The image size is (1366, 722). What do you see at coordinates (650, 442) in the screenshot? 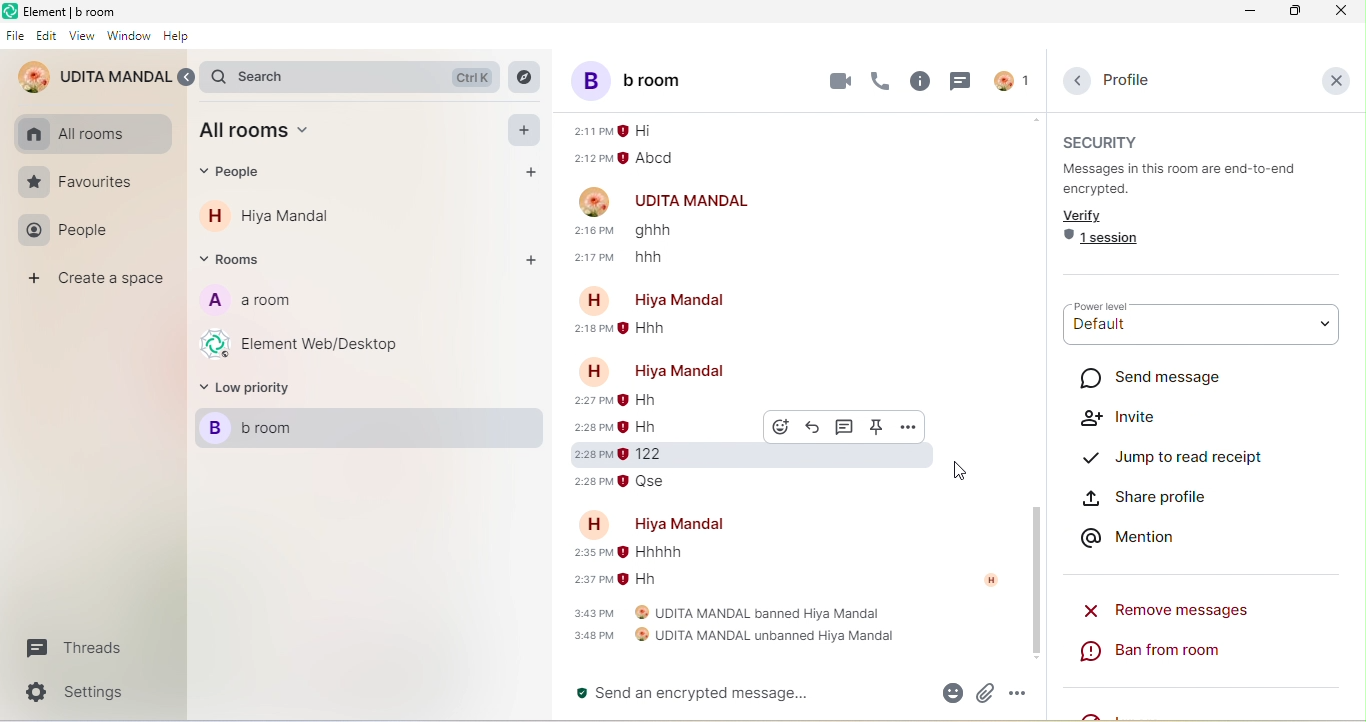
I see `older message from hiya mandal` at bounding box center [650, 442].